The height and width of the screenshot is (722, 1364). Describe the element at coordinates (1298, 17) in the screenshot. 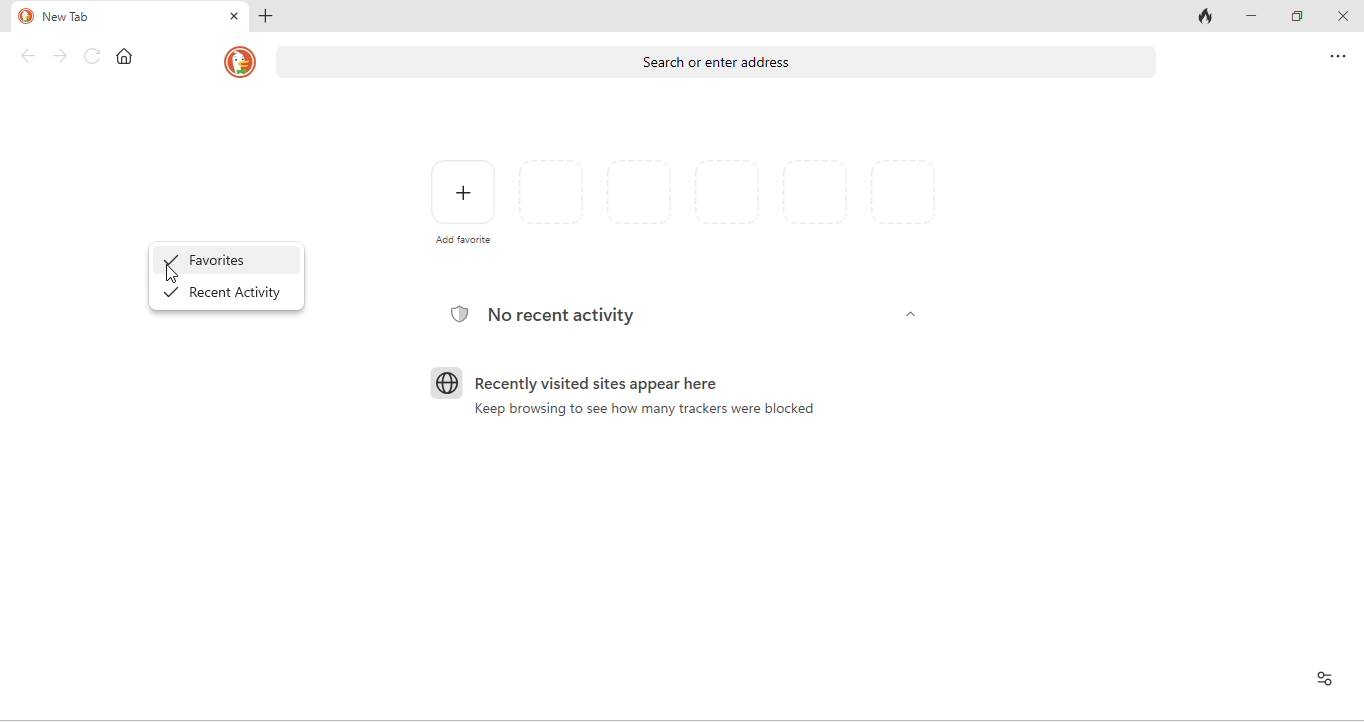

I see `maximize` at that location.